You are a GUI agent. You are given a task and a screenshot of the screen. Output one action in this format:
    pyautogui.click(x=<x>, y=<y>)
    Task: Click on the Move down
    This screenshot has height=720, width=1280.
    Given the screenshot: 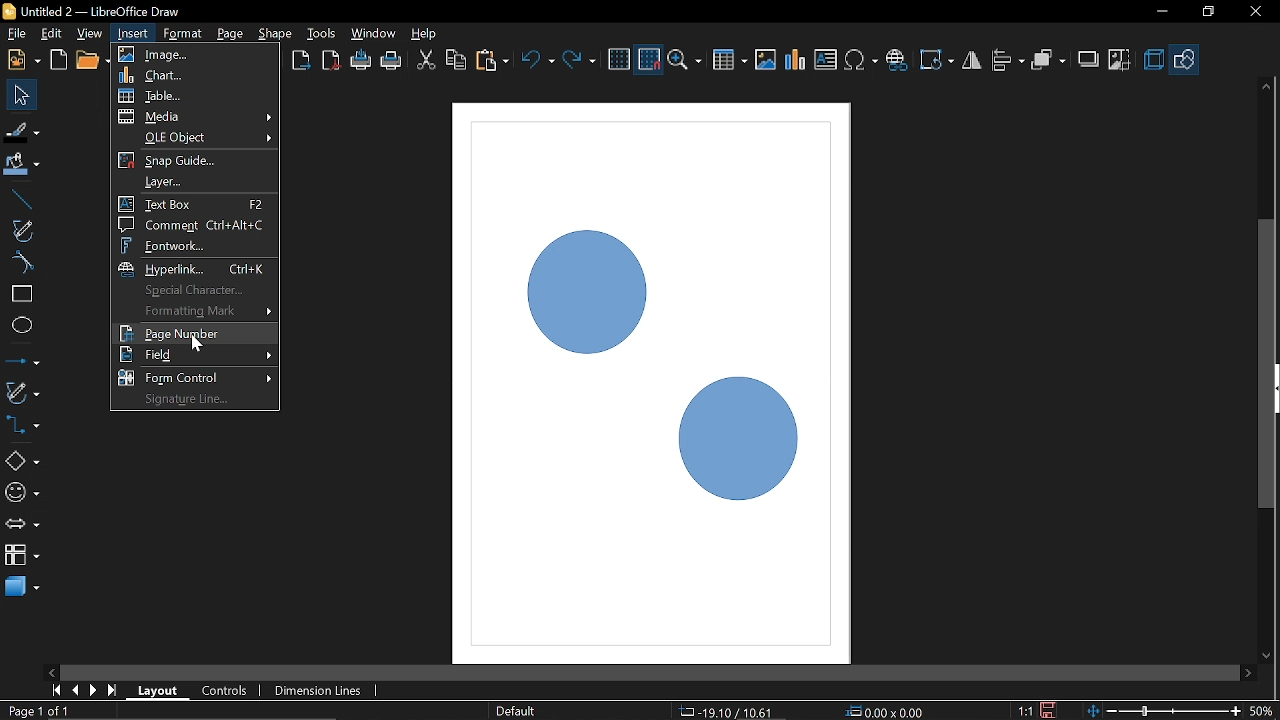 What is the action you would take?
    pyautogui.click(x=1267, y=657)
    